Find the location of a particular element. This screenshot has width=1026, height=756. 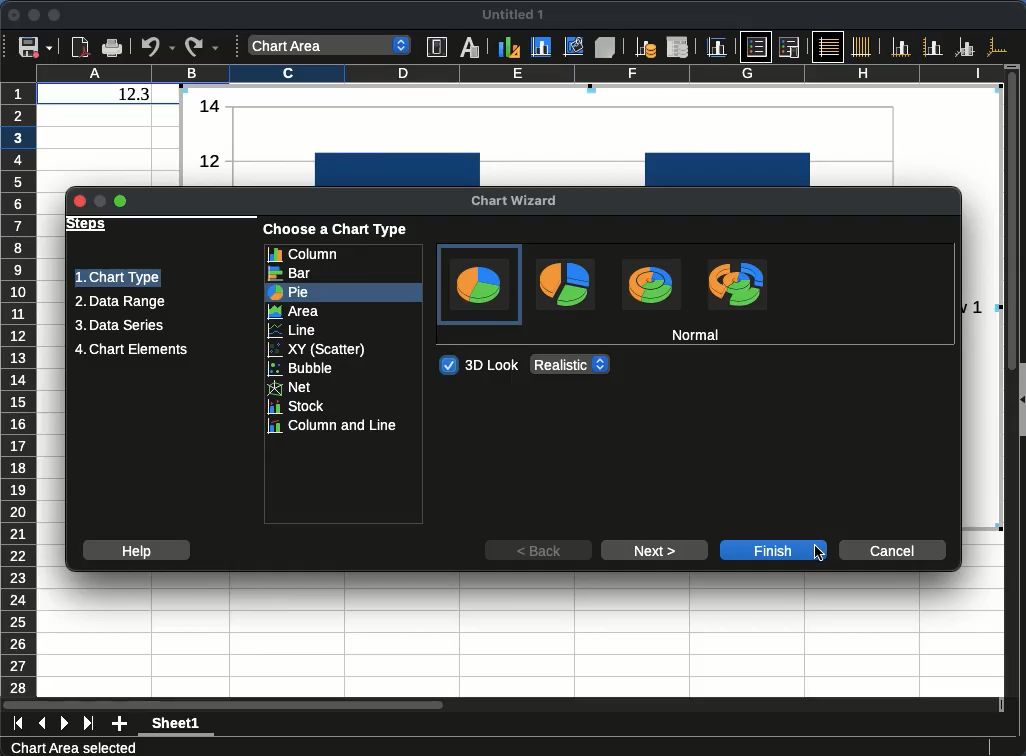

Close is located at coordinates (80, 201).